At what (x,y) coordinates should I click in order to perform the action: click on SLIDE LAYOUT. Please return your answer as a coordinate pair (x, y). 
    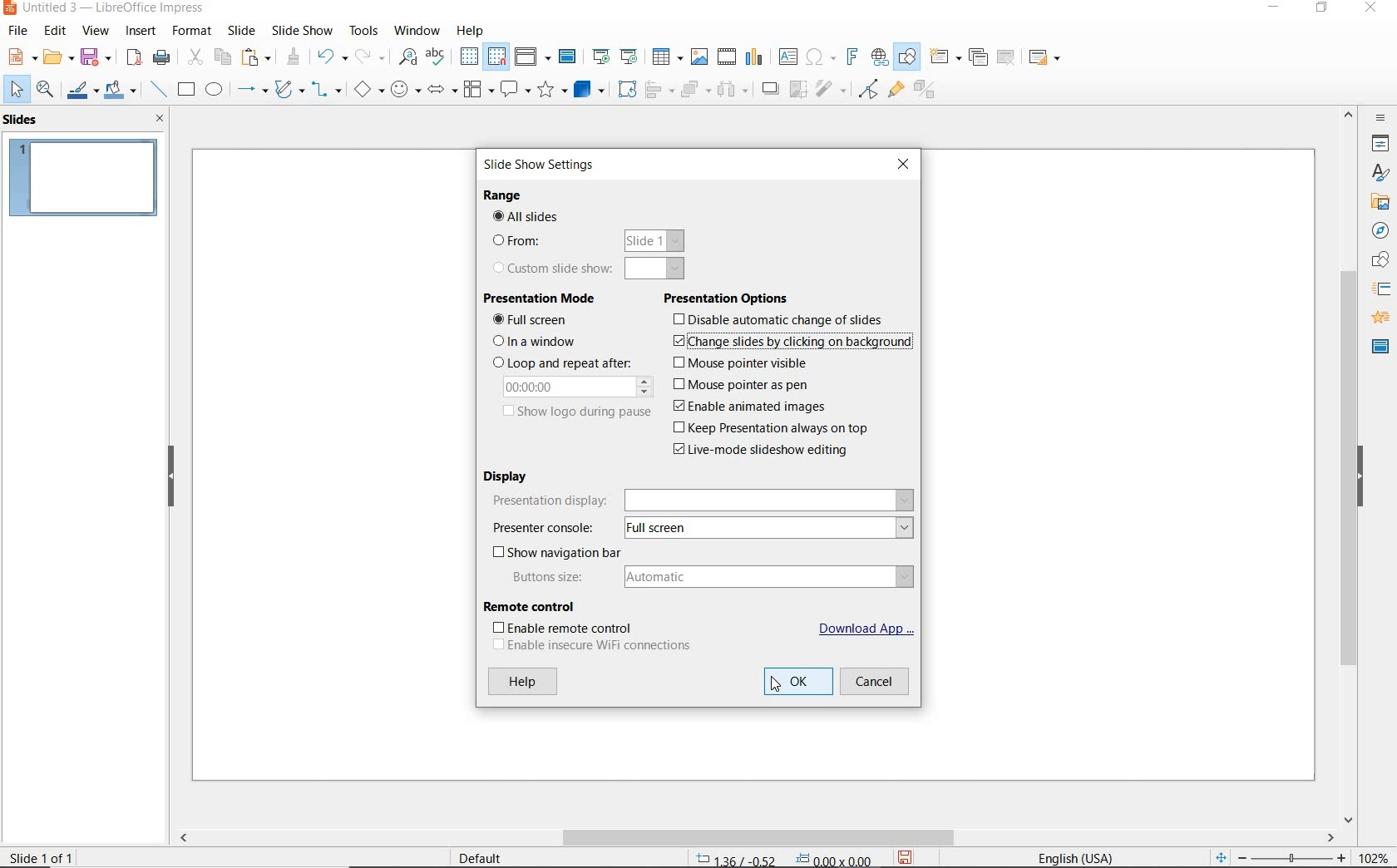
    Looking at the image, I should click on (1044, 57).